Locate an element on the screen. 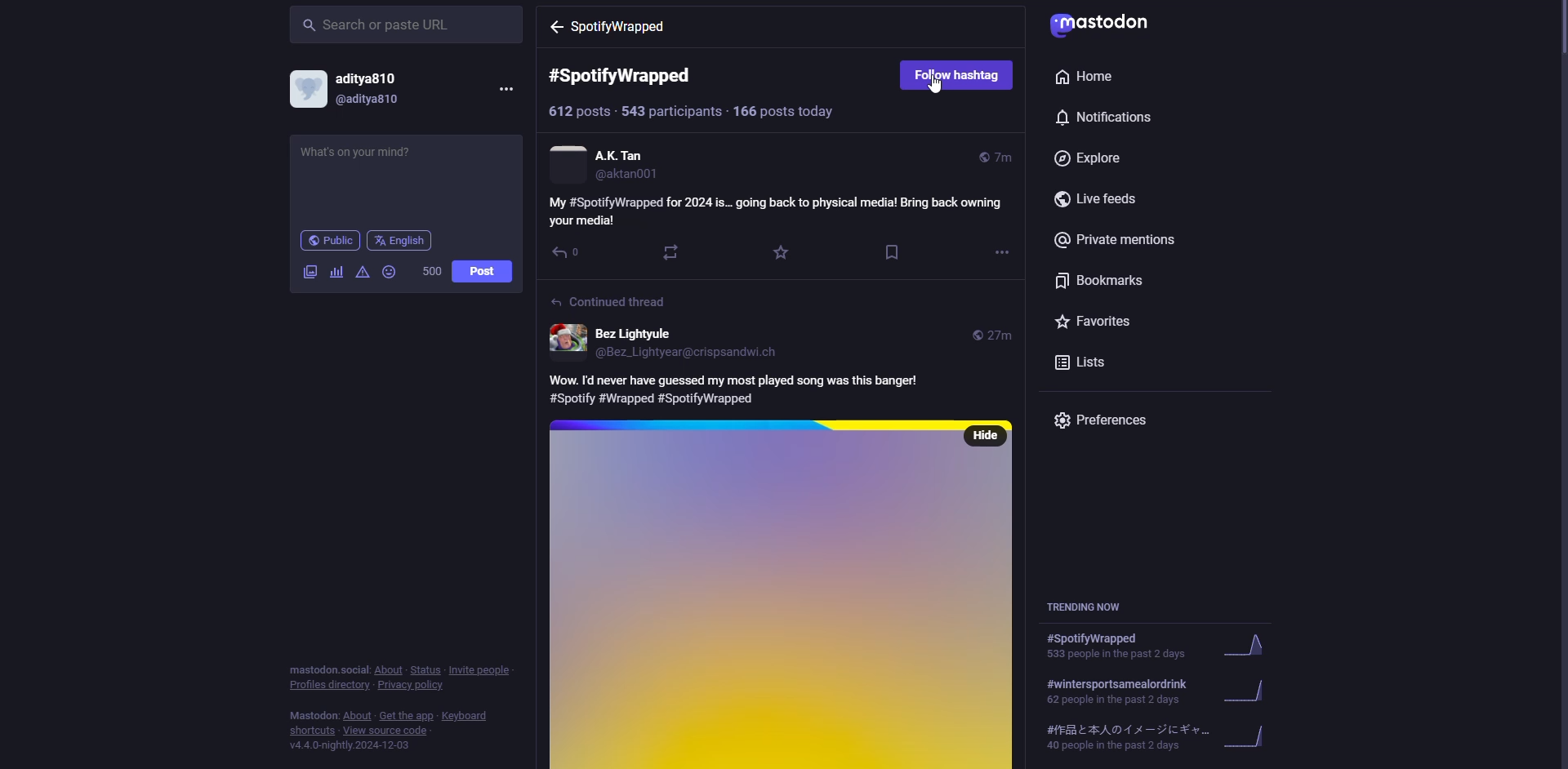  bookmarks is located at coordinates (1102, 279).